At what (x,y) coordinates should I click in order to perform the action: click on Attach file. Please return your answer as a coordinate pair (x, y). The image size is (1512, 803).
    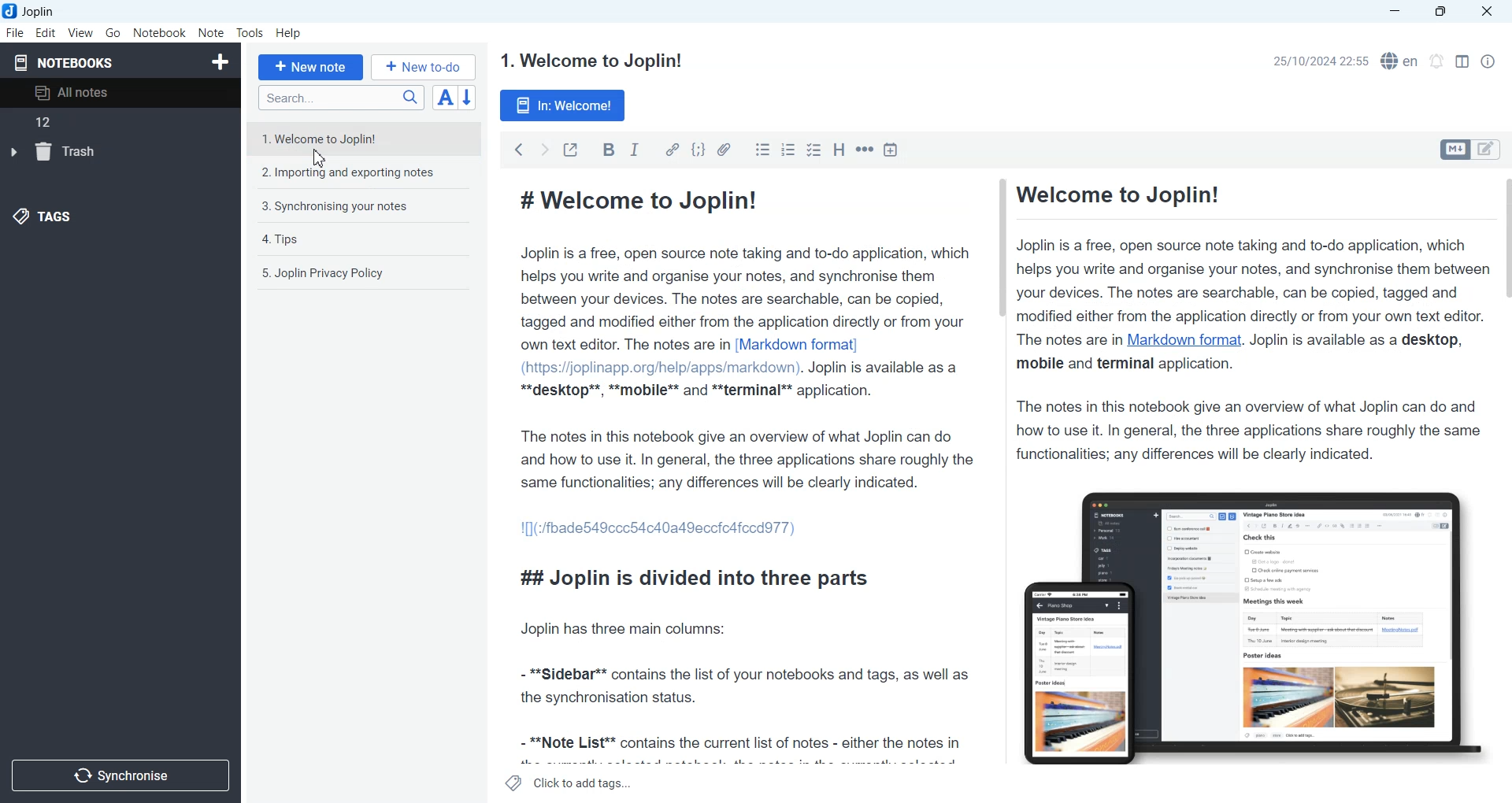
    Looking at the image, I should click on (725, 149).